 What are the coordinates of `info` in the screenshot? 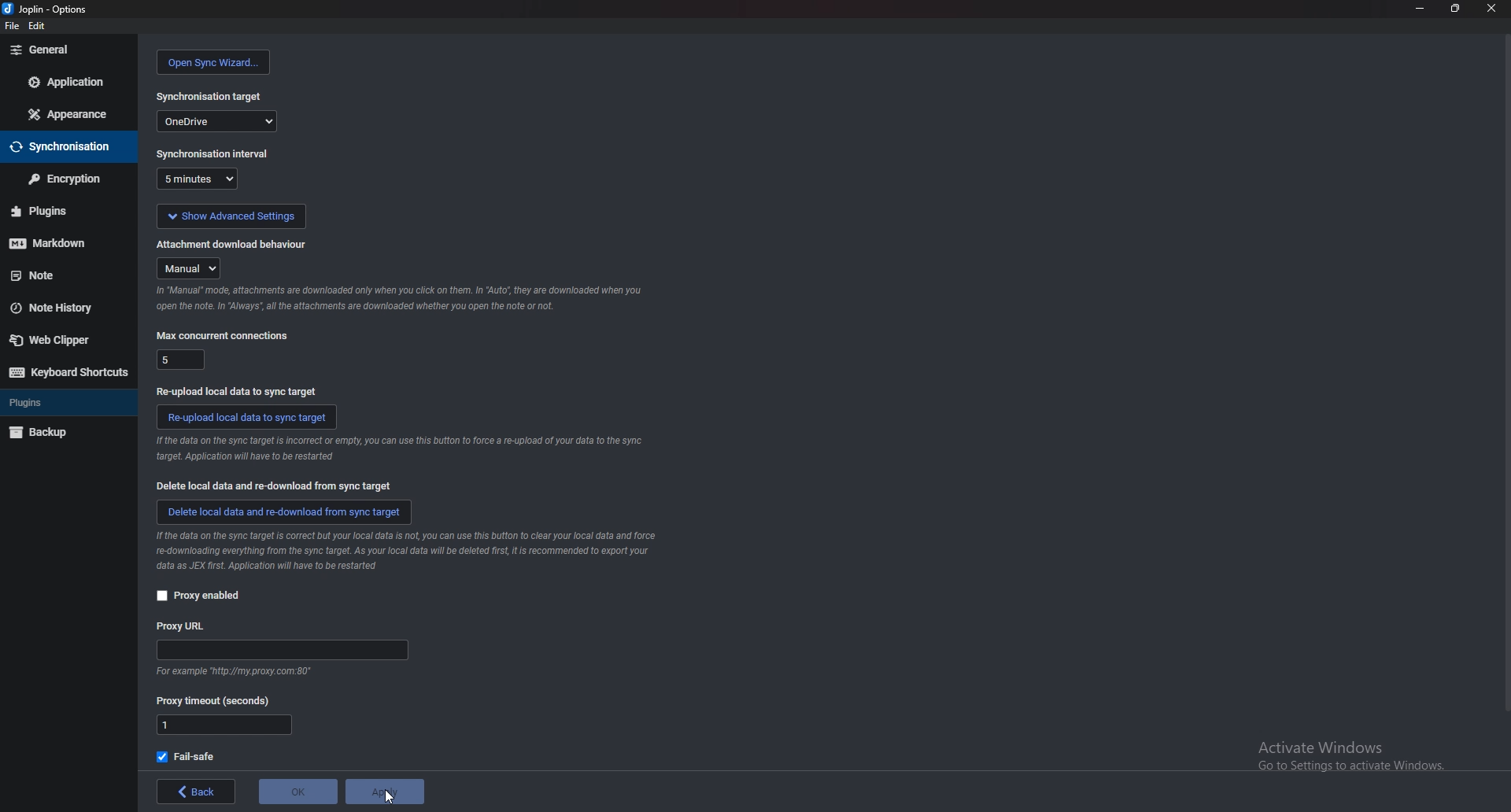 It's located at (401, 448).